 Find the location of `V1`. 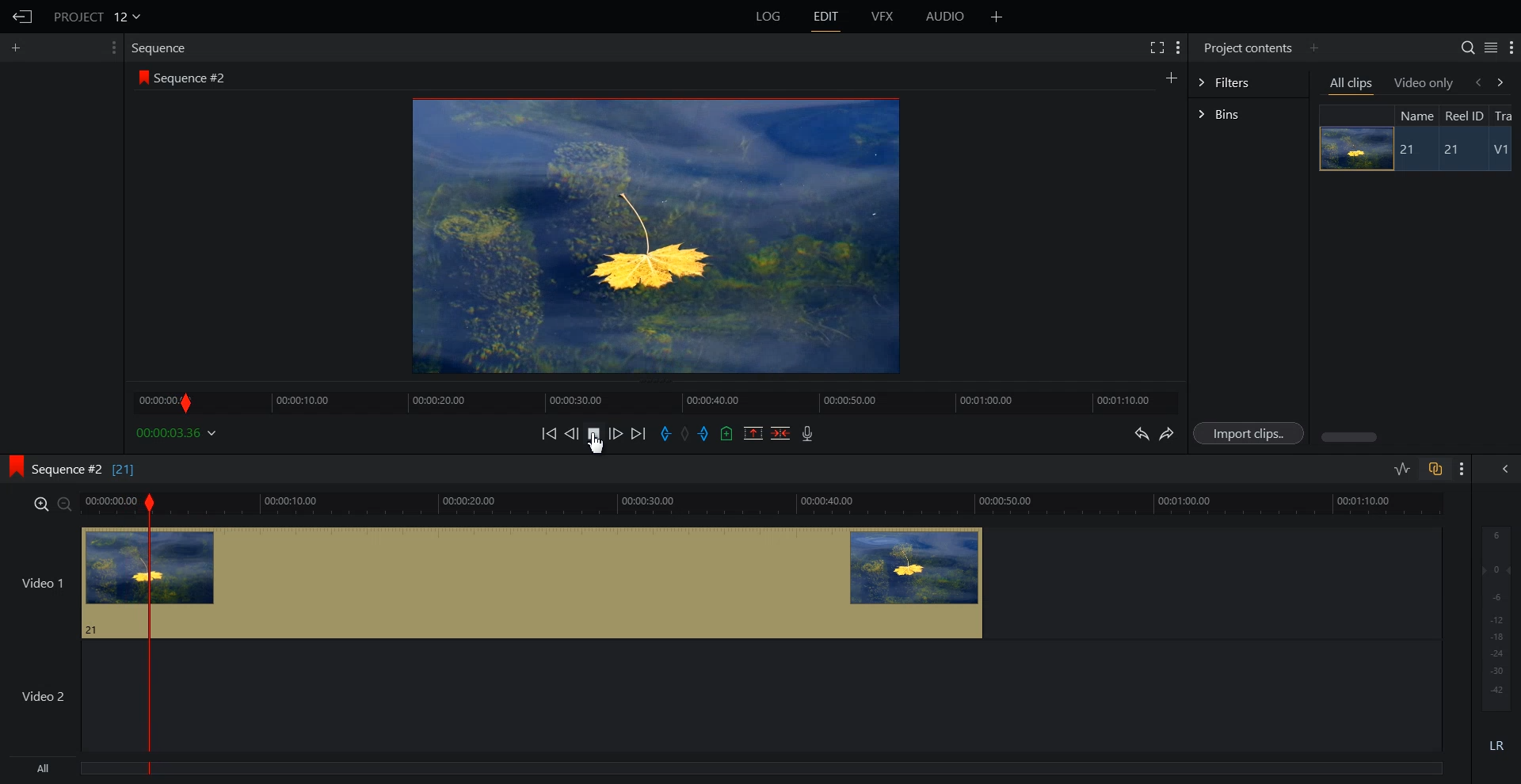

V1 is located at coordinates (1503, 151).